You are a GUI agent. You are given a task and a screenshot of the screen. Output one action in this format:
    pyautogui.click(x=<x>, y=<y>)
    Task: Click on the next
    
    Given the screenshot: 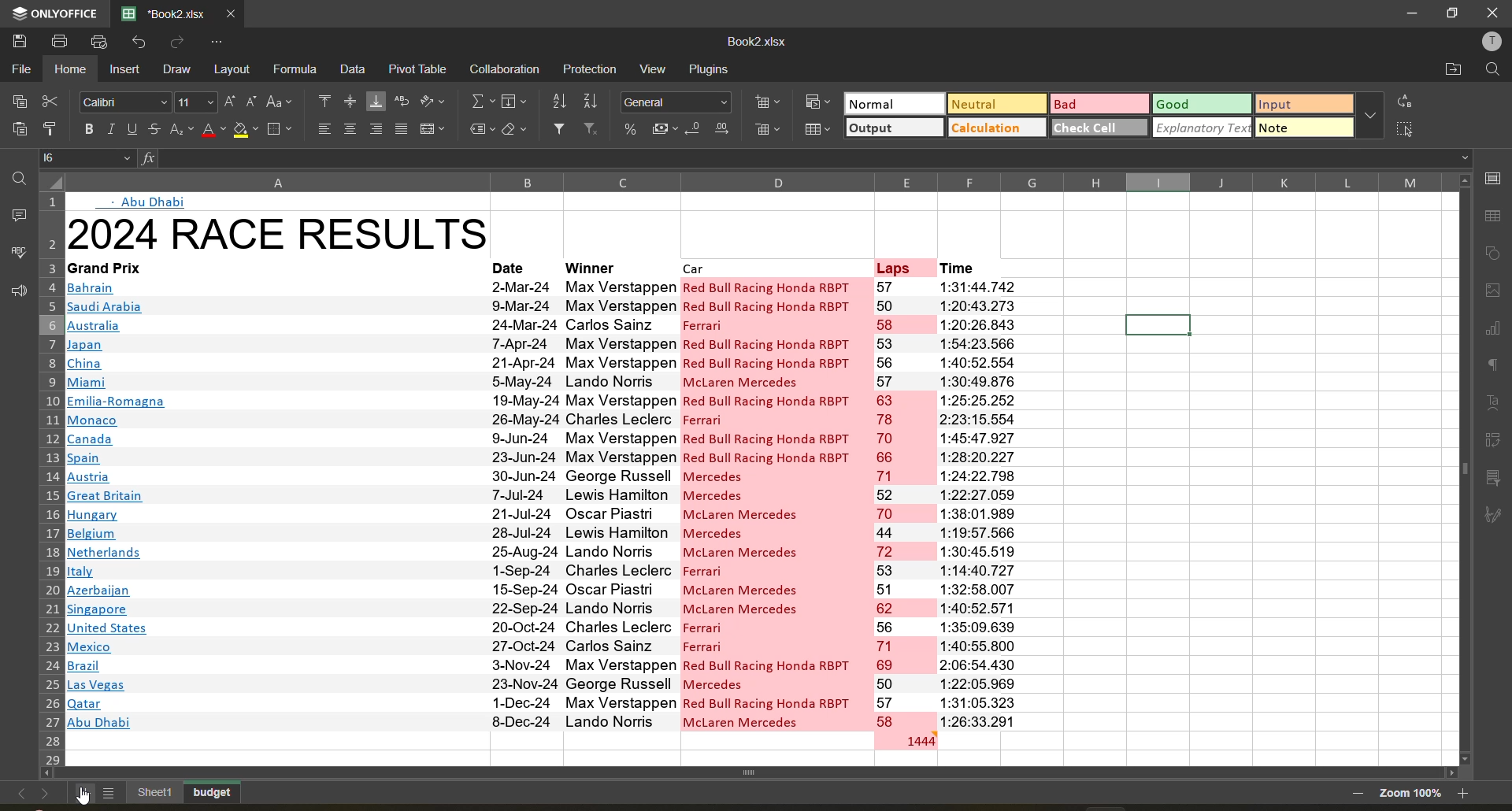 What is the action you would take?
    pyautogui.click(x=46, y=791)
    